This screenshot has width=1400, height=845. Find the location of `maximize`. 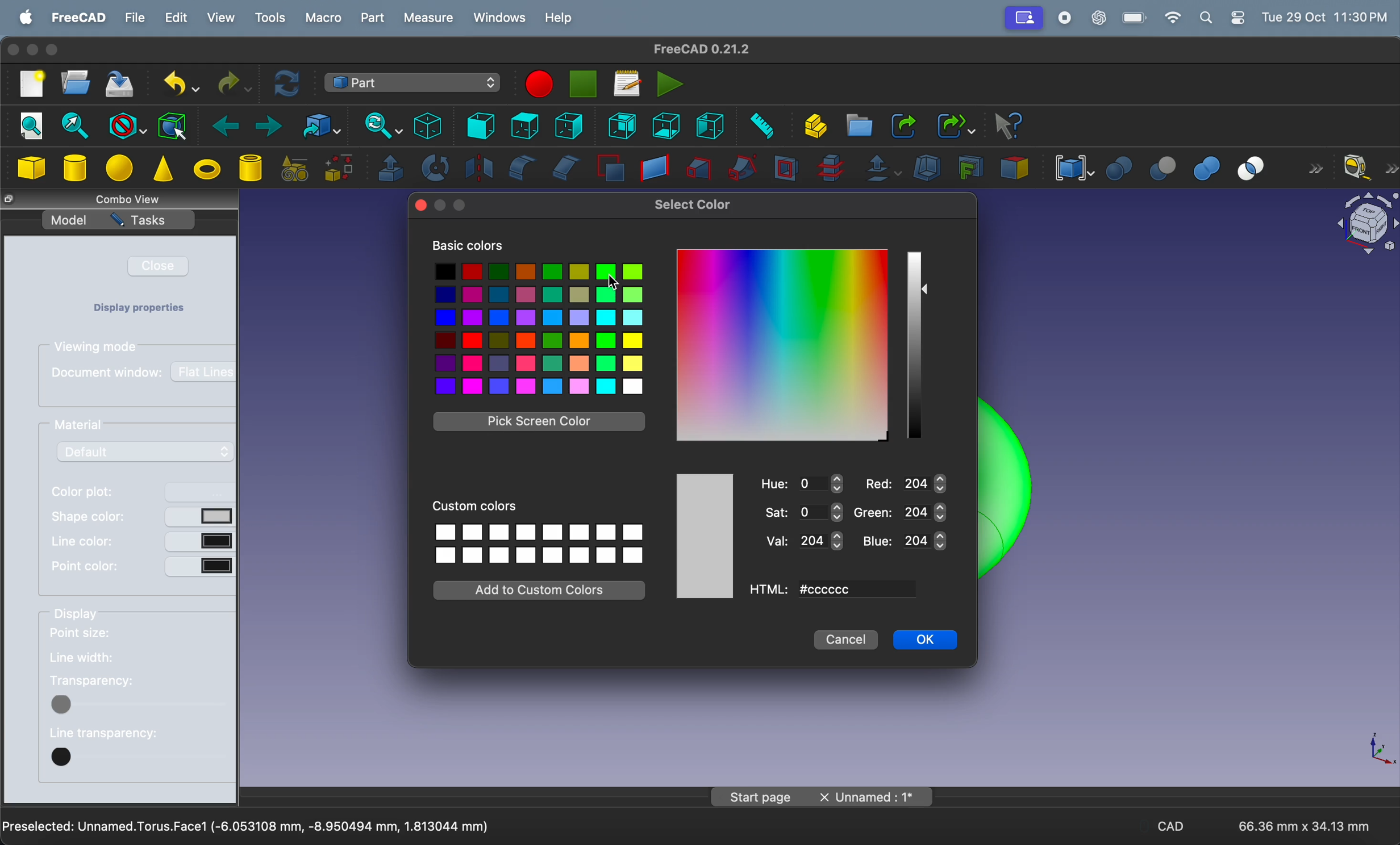

maximize is located at coordinates (460, 205).